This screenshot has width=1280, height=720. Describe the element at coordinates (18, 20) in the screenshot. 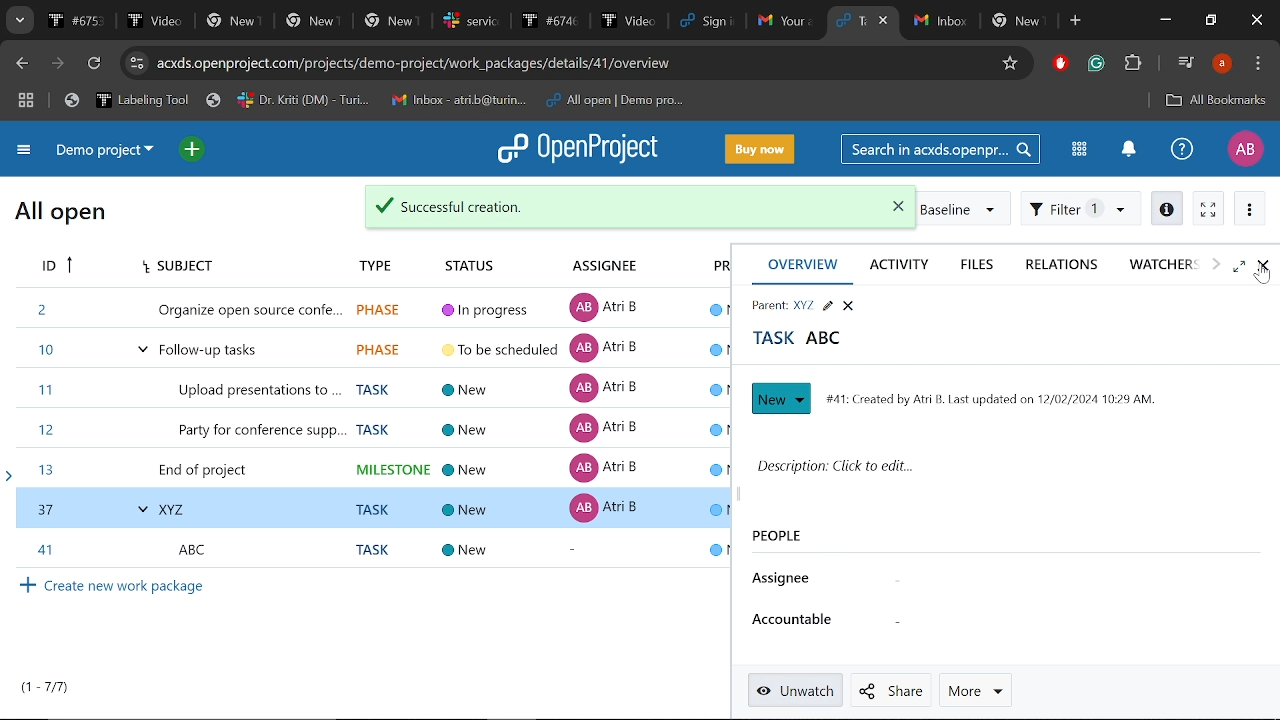

I see `Search tabs` at that location.